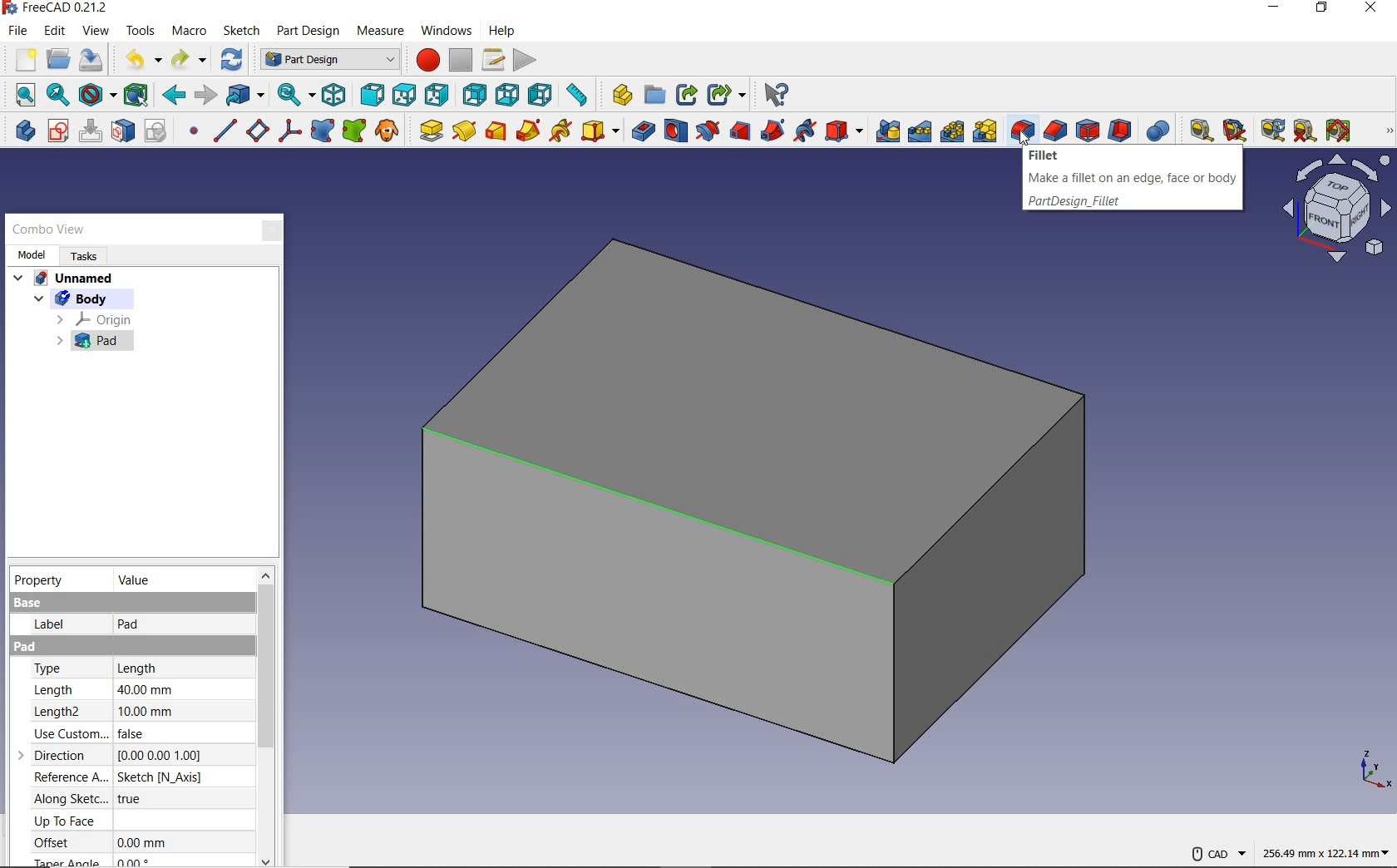 The height and width of the screenshot is (868, 1397). Describe the element at coordinates (1022, 127) in the screenshot. I see `fillet` at that location.